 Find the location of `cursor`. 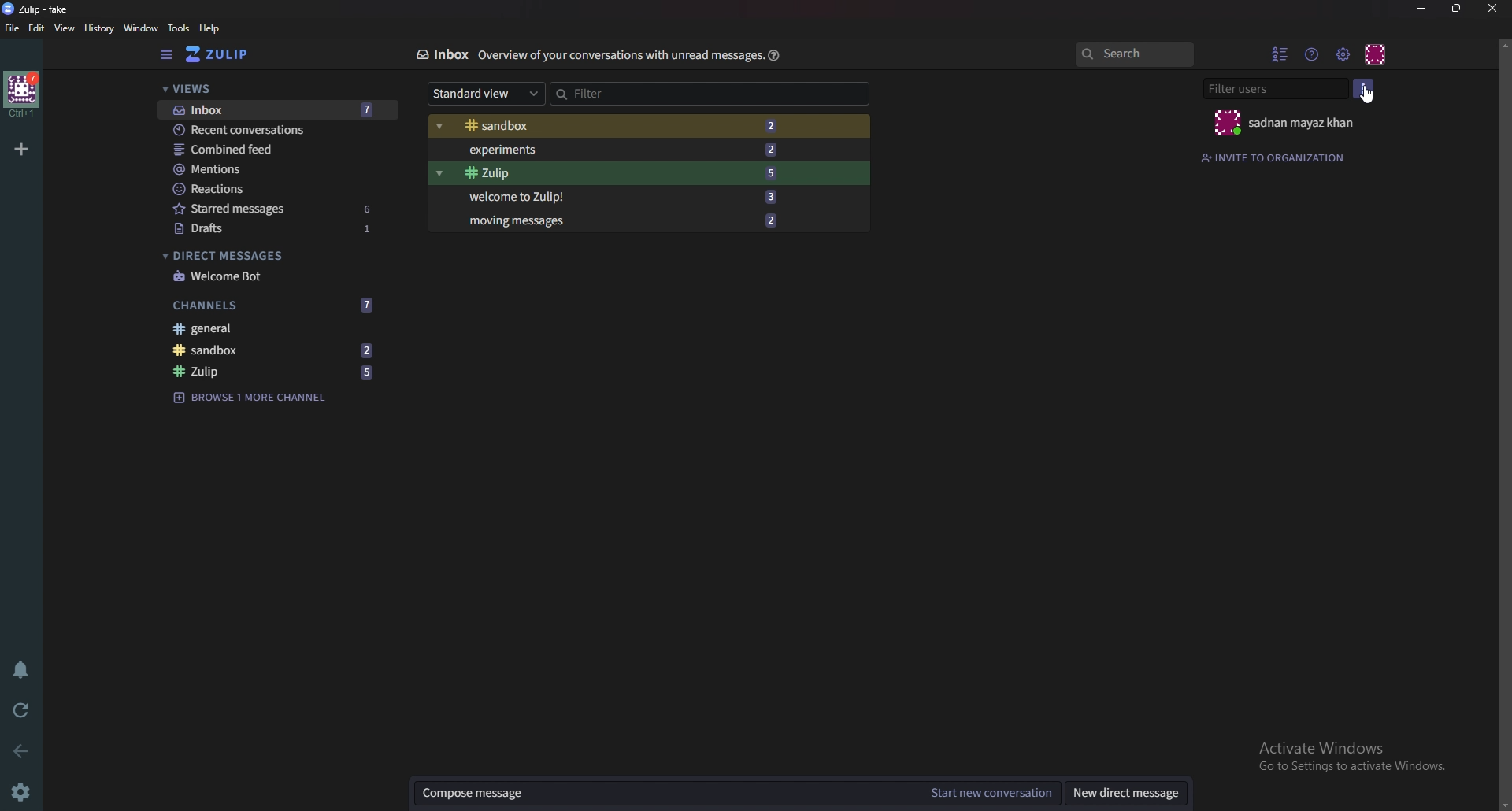

cursor is located at coordinates (1368, 96).